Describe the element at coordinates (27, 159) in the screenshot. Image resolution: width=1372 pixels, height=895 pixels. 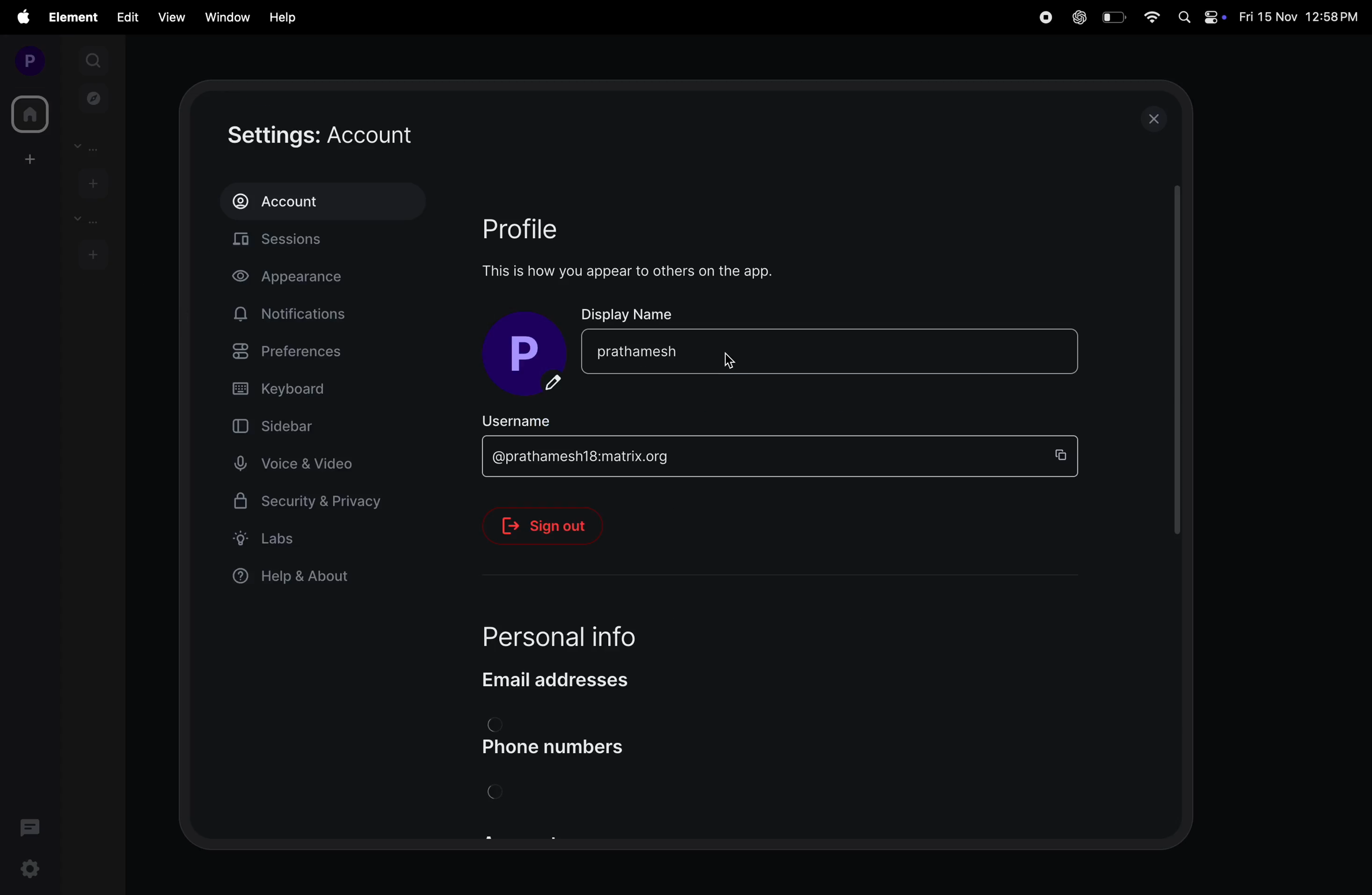
I see `add` at that location.